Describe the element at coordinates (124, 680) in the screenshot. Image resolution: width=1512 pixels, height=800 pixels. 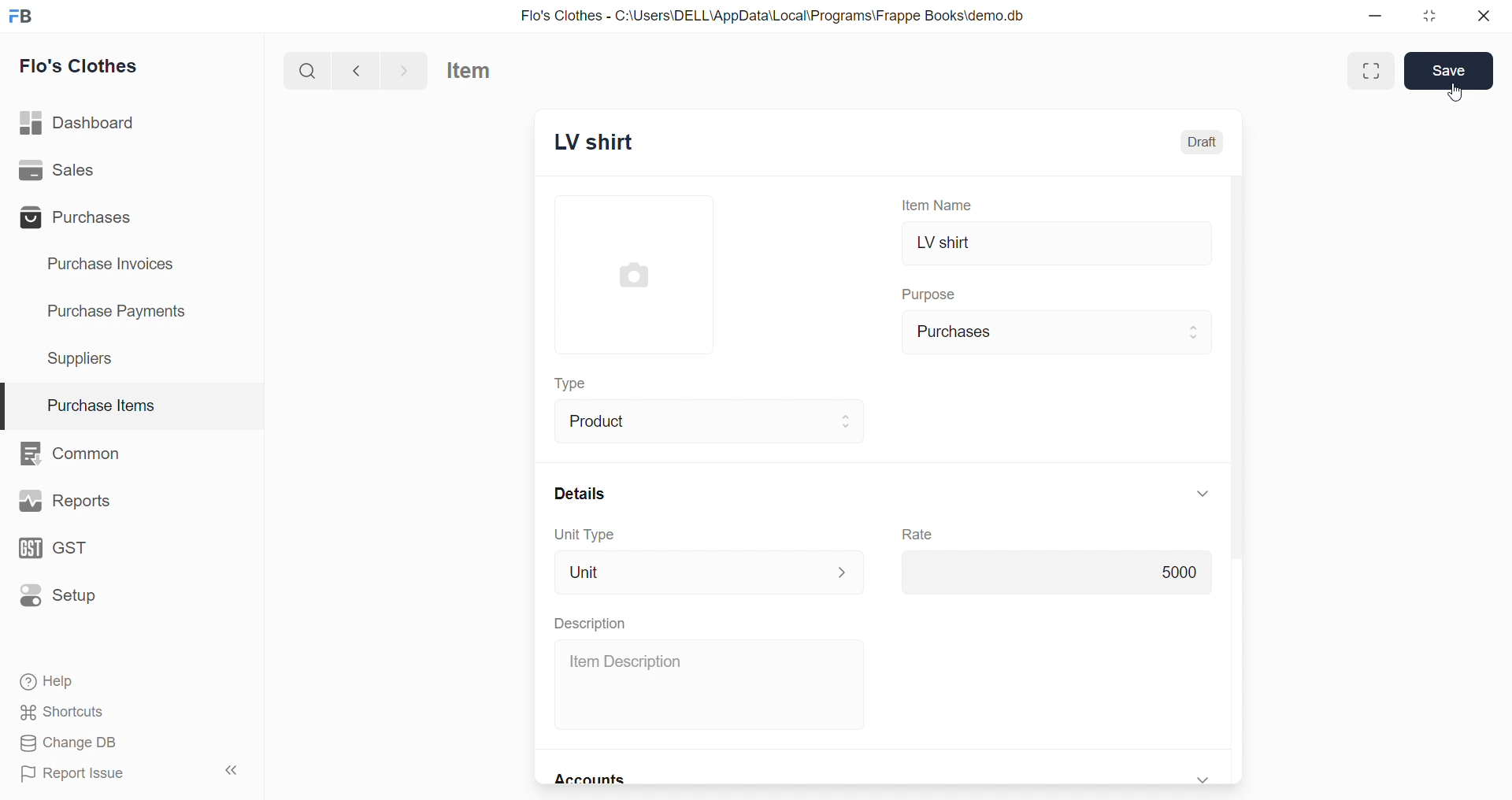
I see `Help` at that location.